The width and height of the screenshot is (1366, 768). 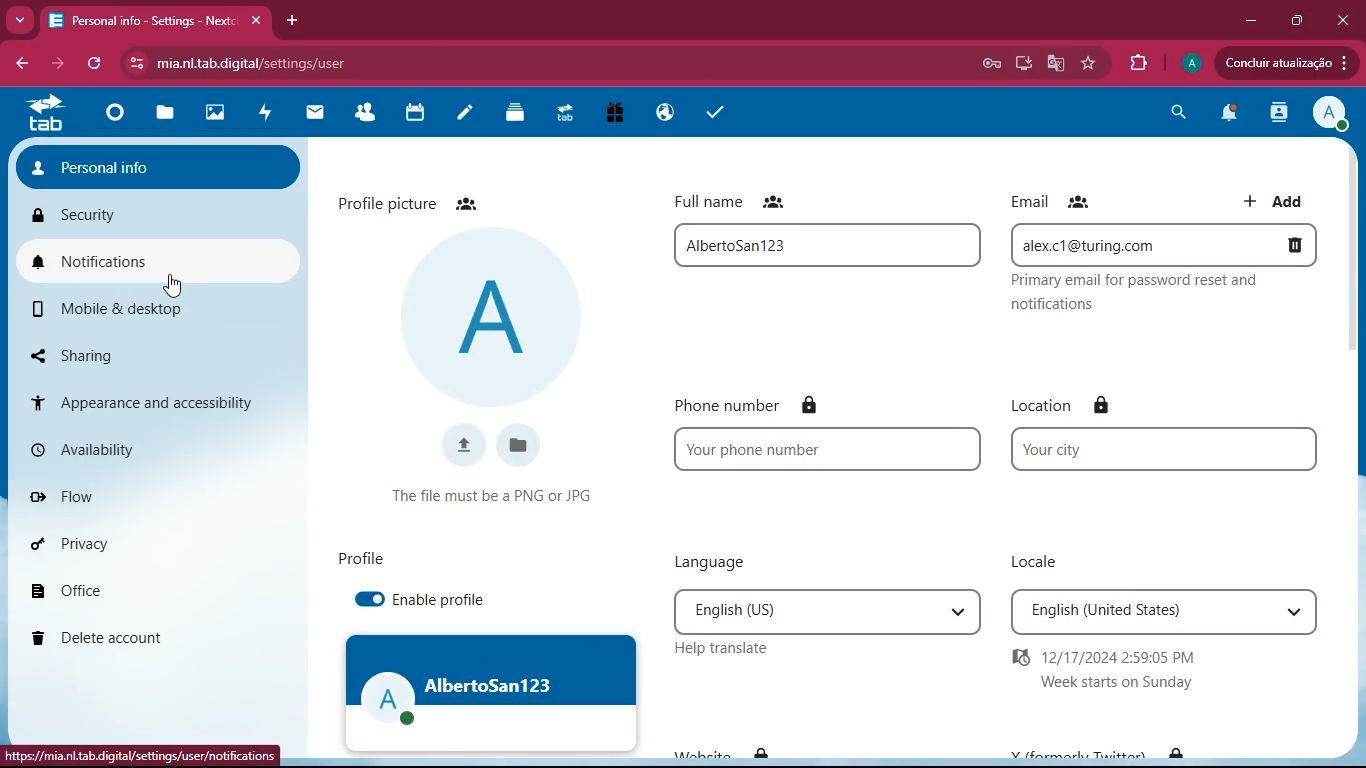 What do you see at coordinates (38, 112) in the screenshot?
I see `tab` at bounding box center [38, 112].